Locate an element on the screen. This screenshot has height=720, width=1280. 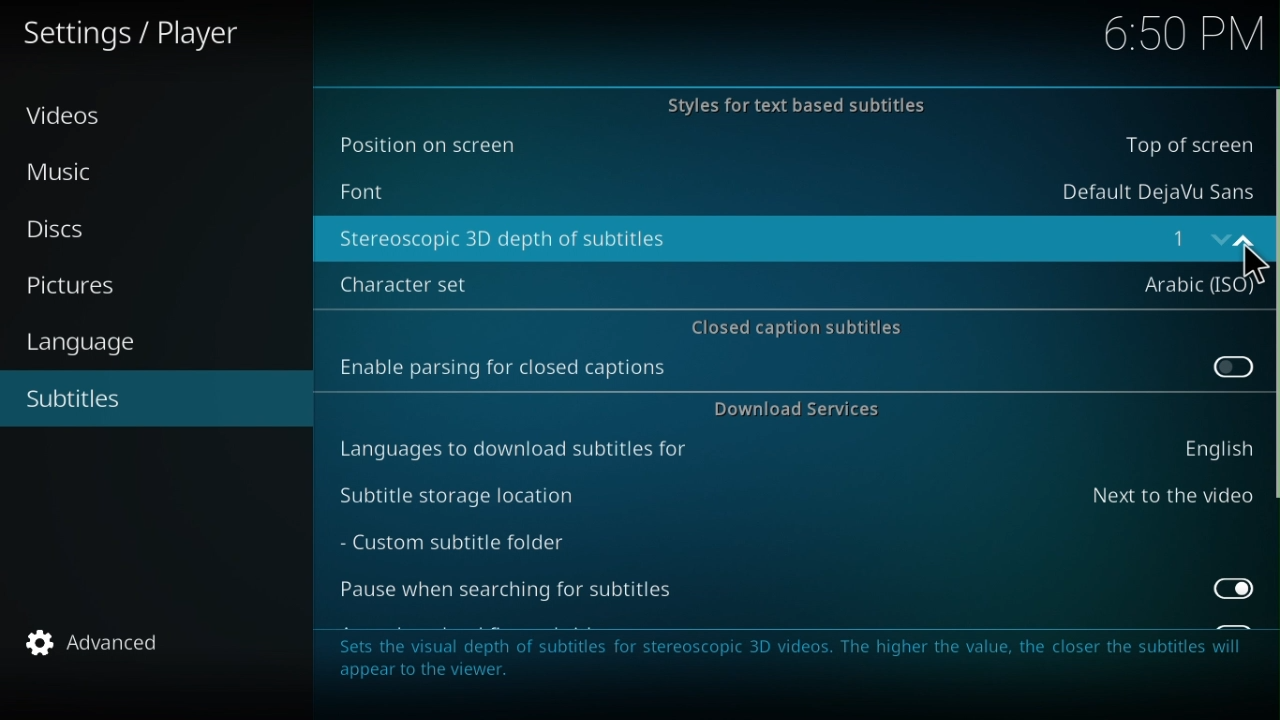
Languages to download subtitles for is located at coordinates (794, 451).